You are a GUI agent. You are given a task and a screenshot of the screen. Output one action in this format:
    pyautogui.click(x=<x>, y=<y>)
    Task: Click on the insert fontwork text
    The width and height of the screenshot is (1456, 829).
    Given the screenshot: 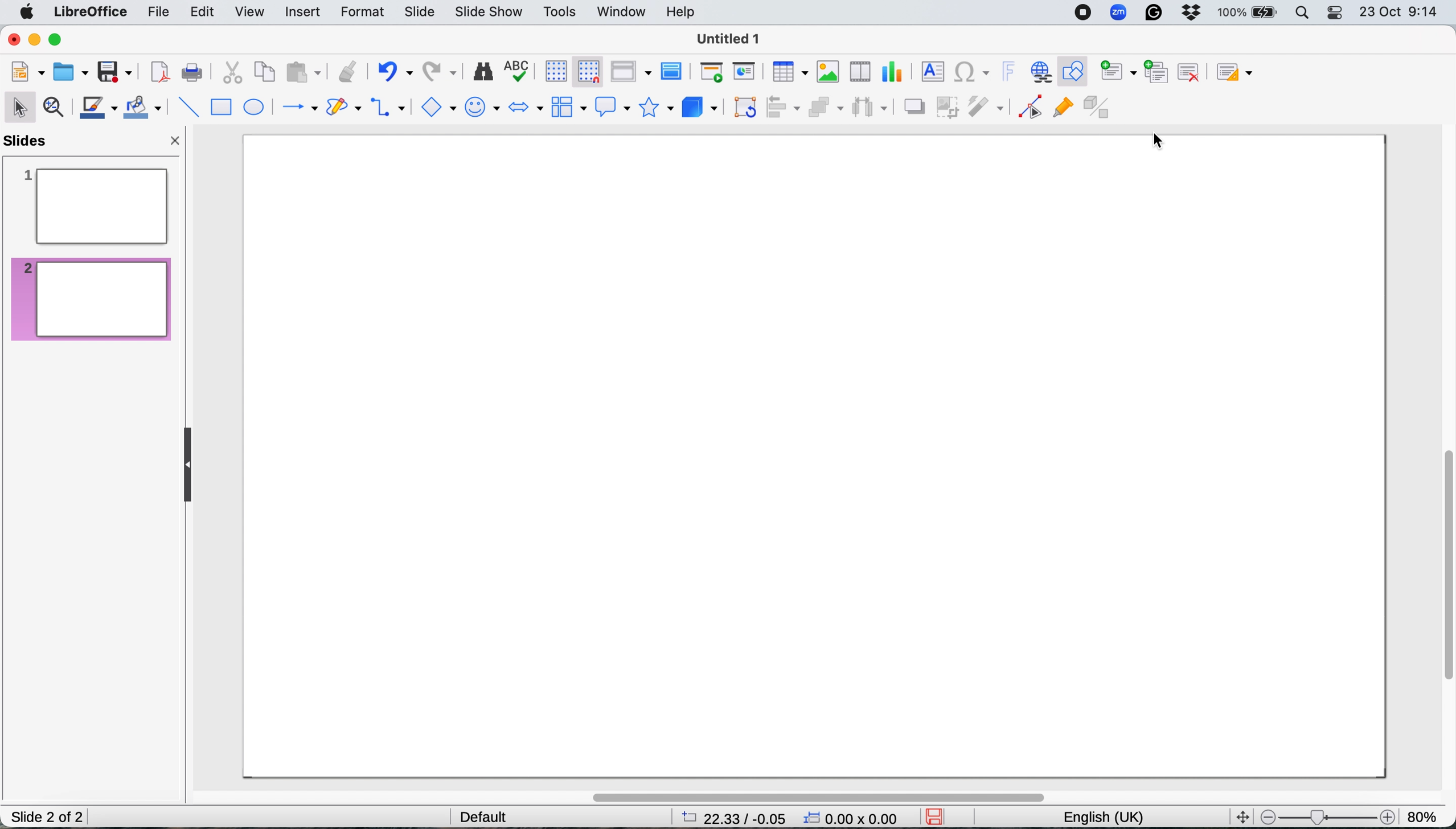 What is the action you would take?
    pyautogui.click(x=1010, y=71)
    